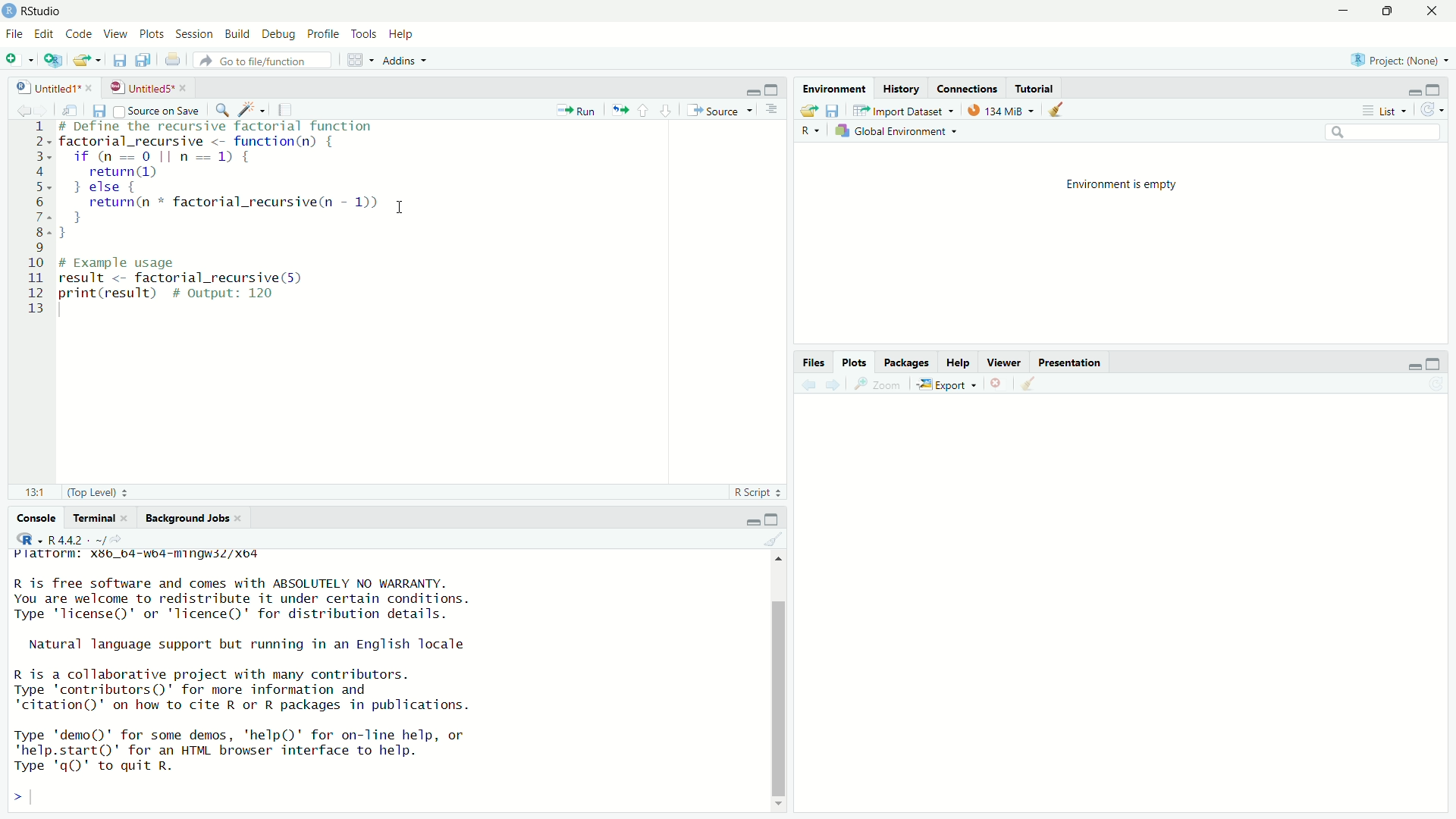 The width and height of the screenshot is (1456, 819). I want to click on Tutorial, so click(1037, 86).